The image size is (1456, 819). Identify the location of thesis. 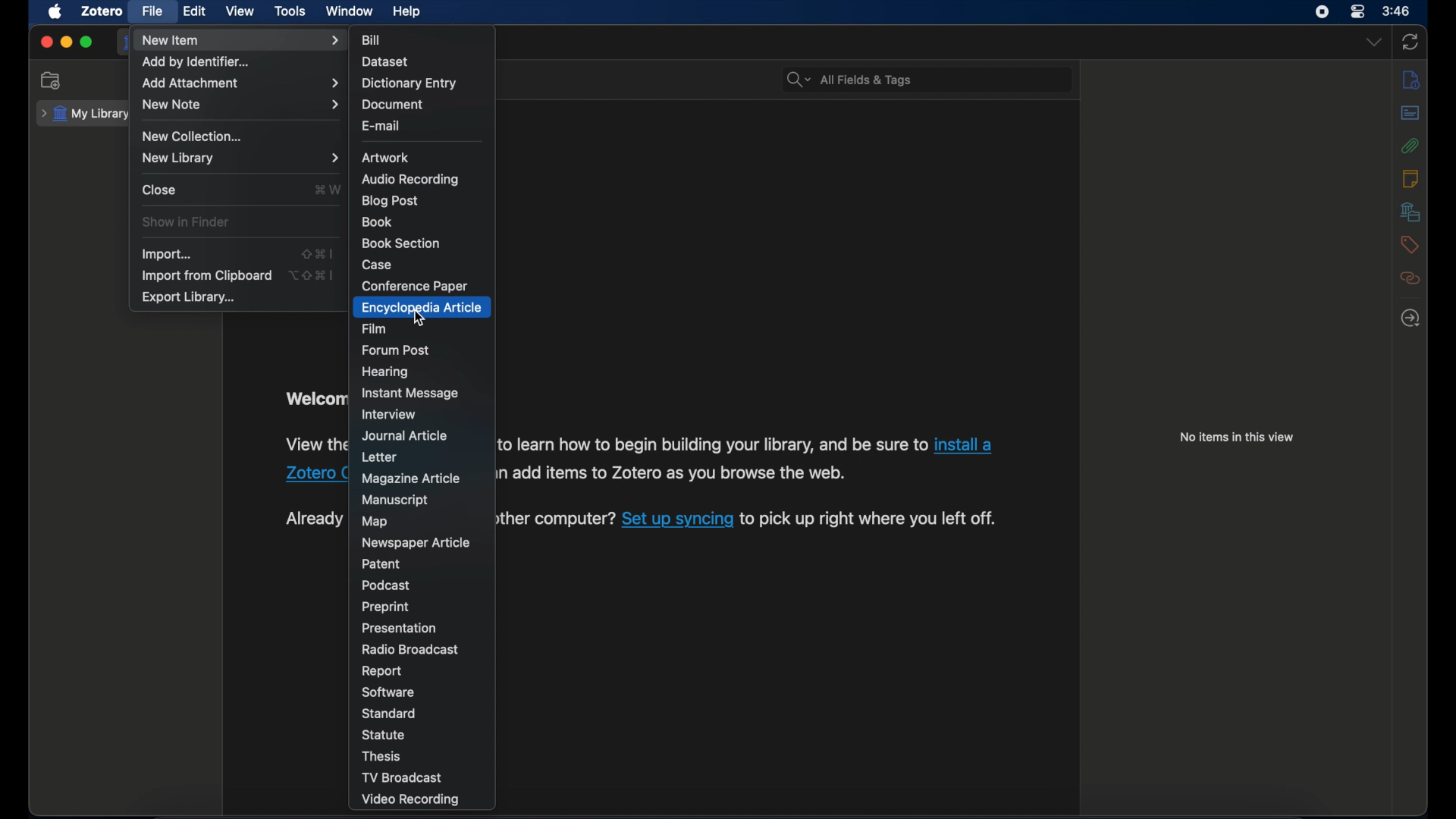
(382, 756).